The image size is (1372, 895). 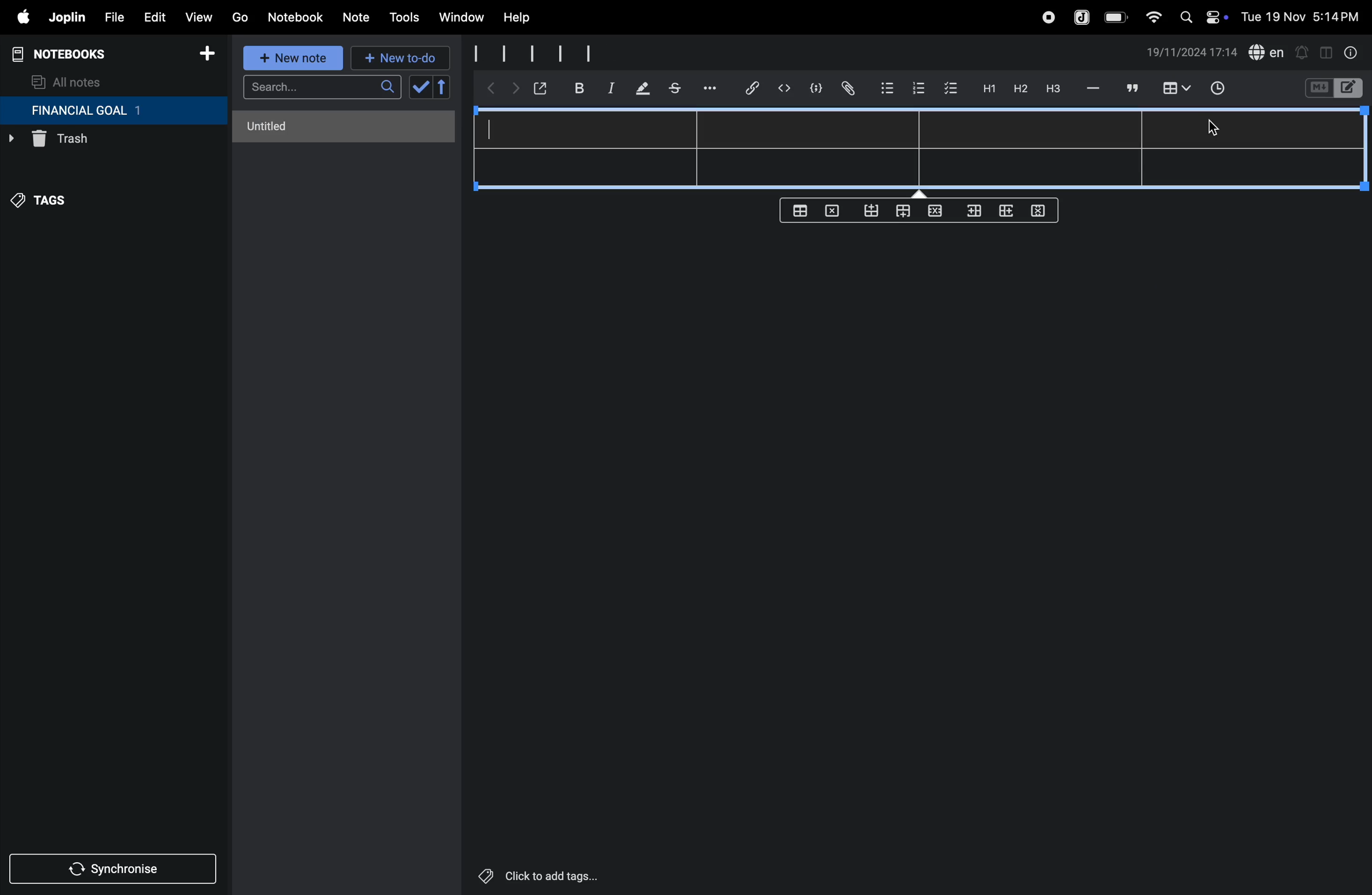 What do you see at coordinates (67, 81) in the screenshot?
I see `all notes` at bounding box center [67, 81].